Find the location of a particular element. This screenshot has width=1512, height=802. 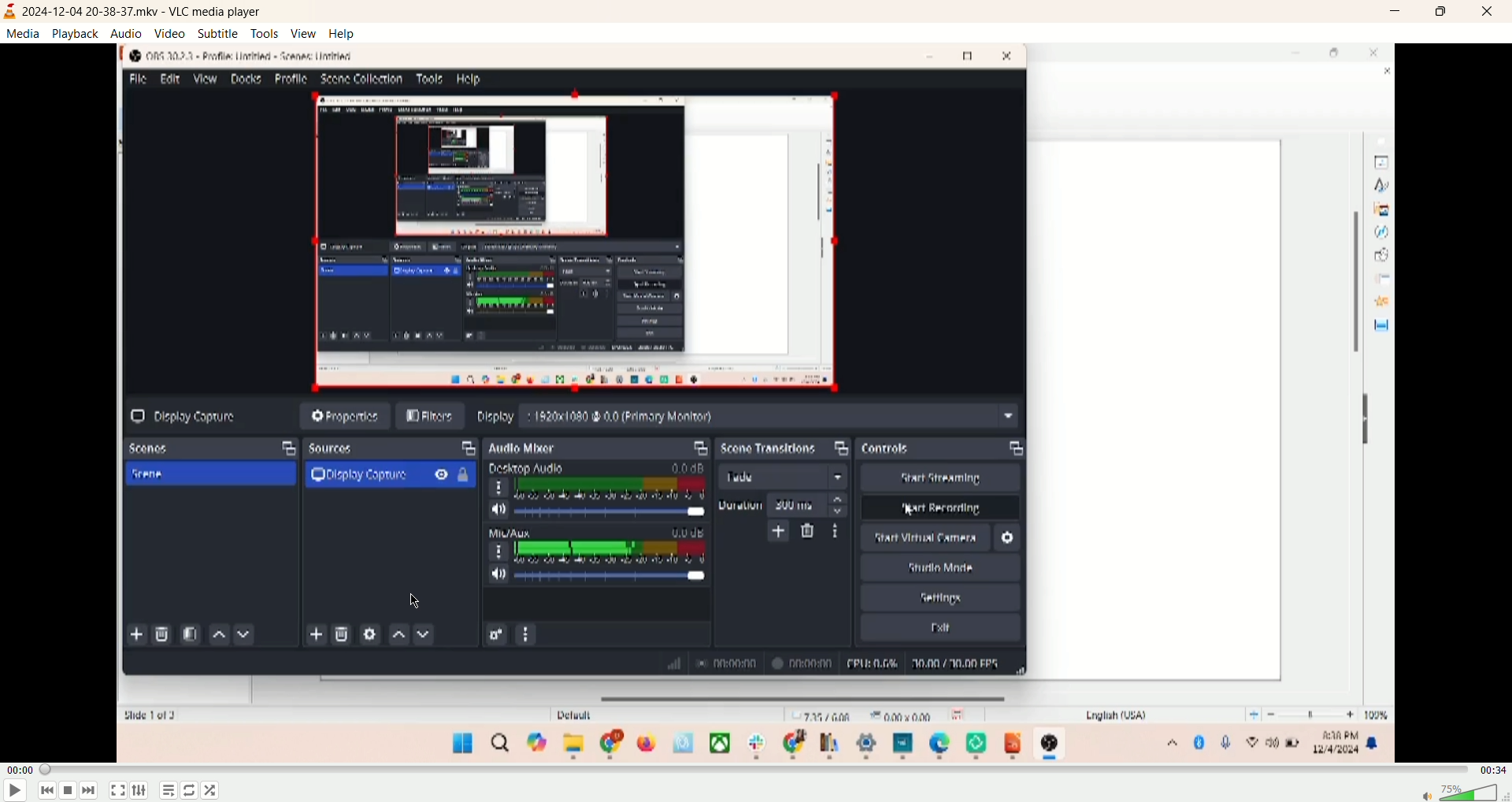

cursor is located at coordinates (414, 600).